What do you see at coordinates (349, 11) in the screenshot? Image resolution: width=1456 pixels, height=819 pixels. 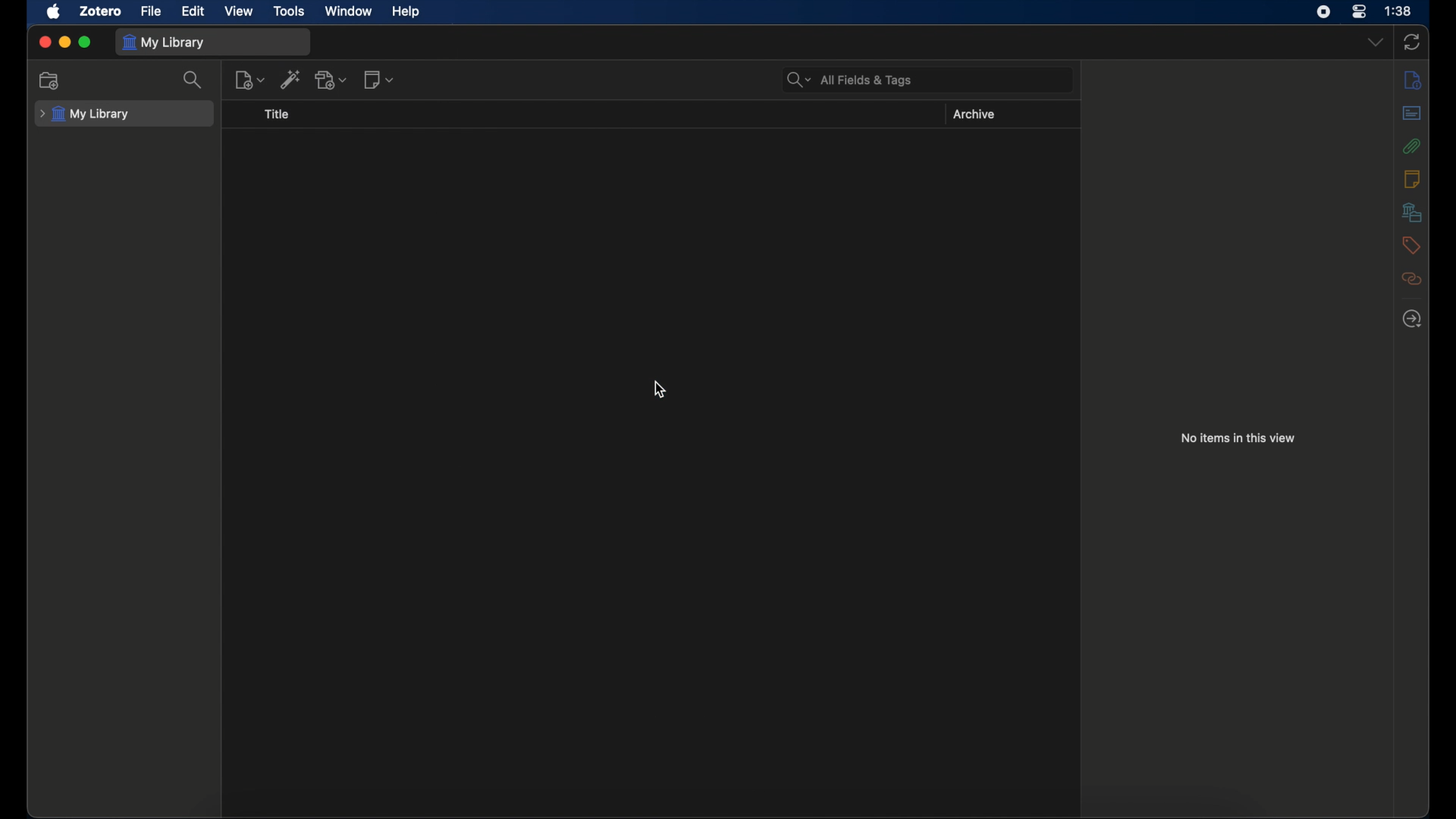 I see `window` at bounding box center [349, 11].